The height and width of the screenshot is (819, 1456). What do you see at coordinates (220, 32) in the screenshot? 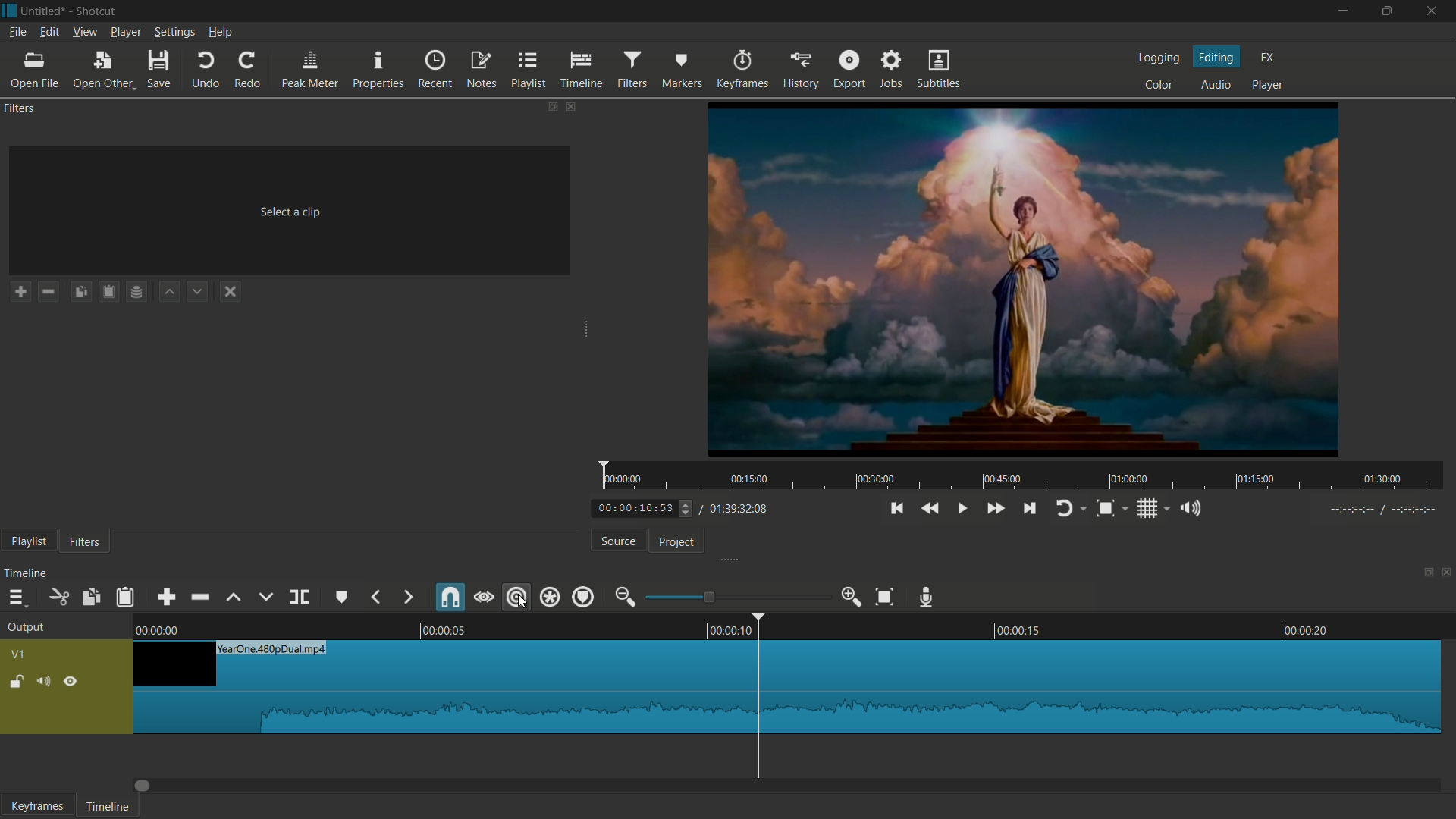
I see `help menu` at bounding box center [220, 32].